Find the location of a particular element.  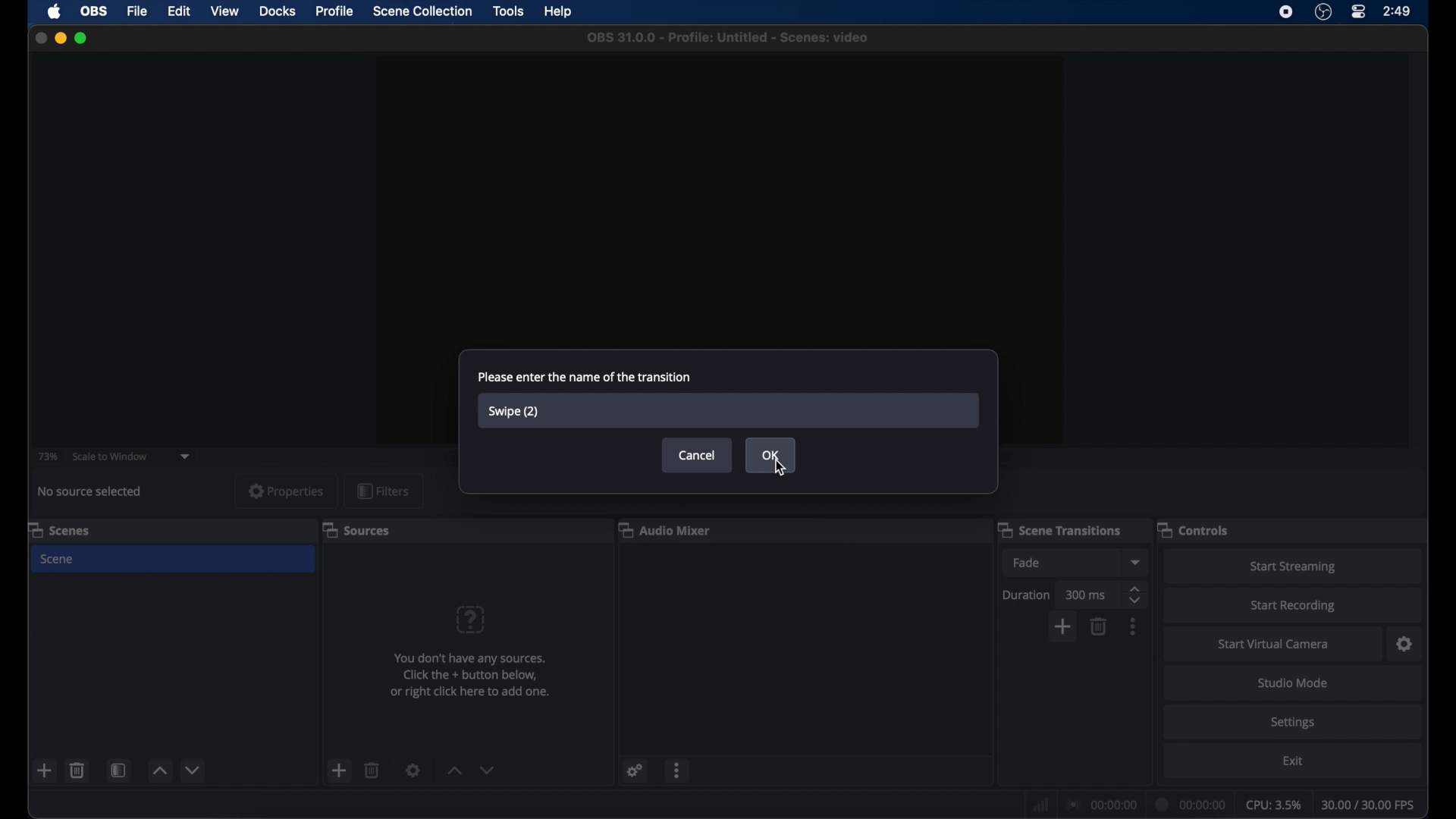

300 ms is located at coordinates (1086, 595).